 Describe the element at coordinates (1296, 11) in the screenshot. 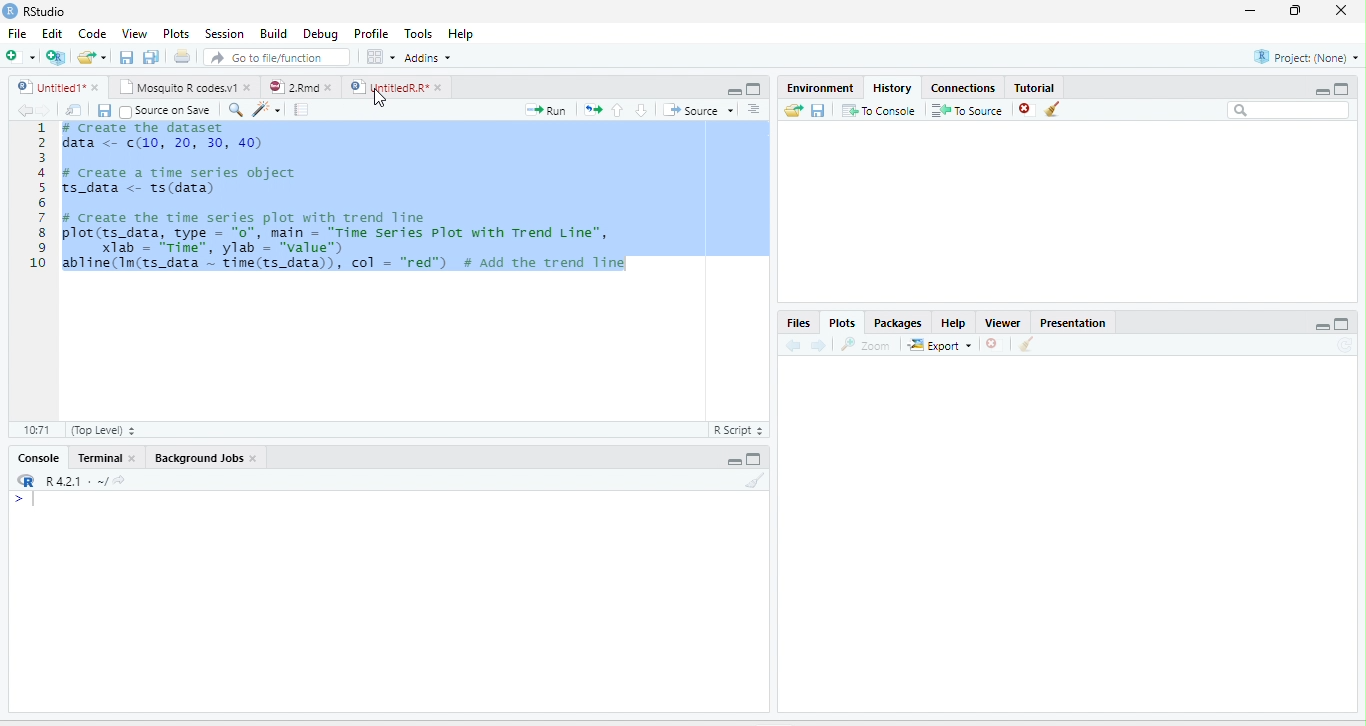

I see `restore` at that location.